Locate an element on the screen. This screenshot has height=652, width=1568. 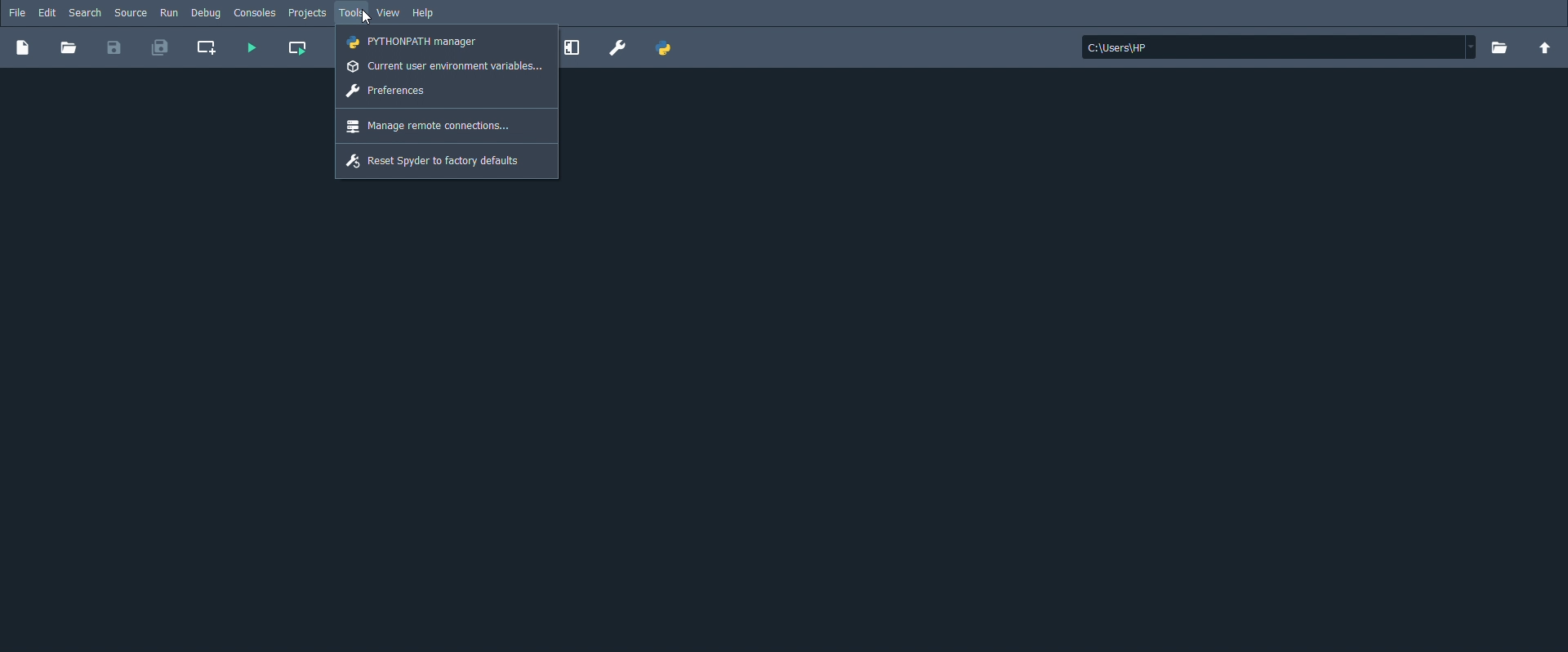
Create new cell at the current line is located at coordinates (209, 49).